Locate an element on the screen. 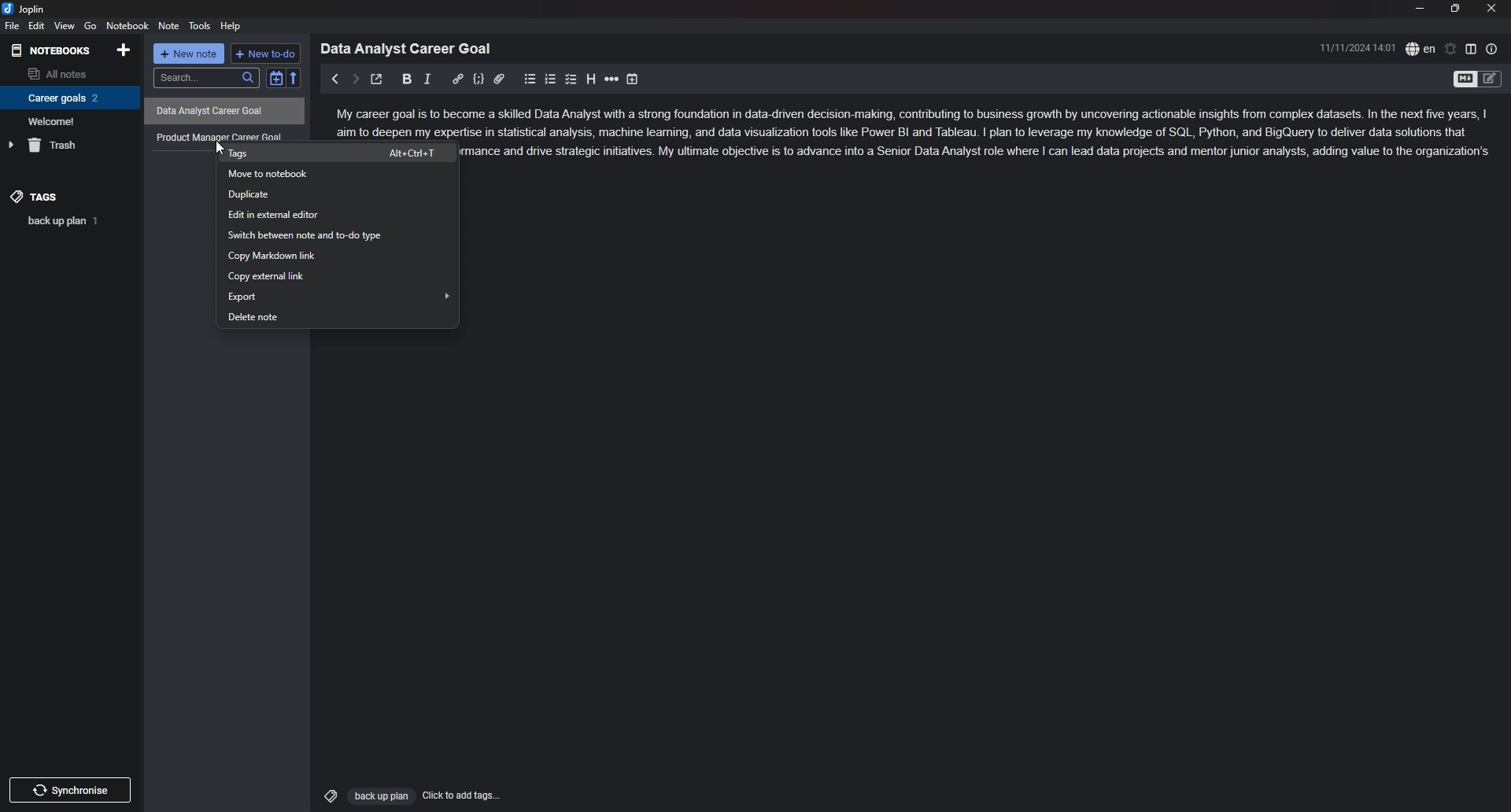 The width and height of the screenshot is (1511, 812). go is located at coordinates (91, 26).